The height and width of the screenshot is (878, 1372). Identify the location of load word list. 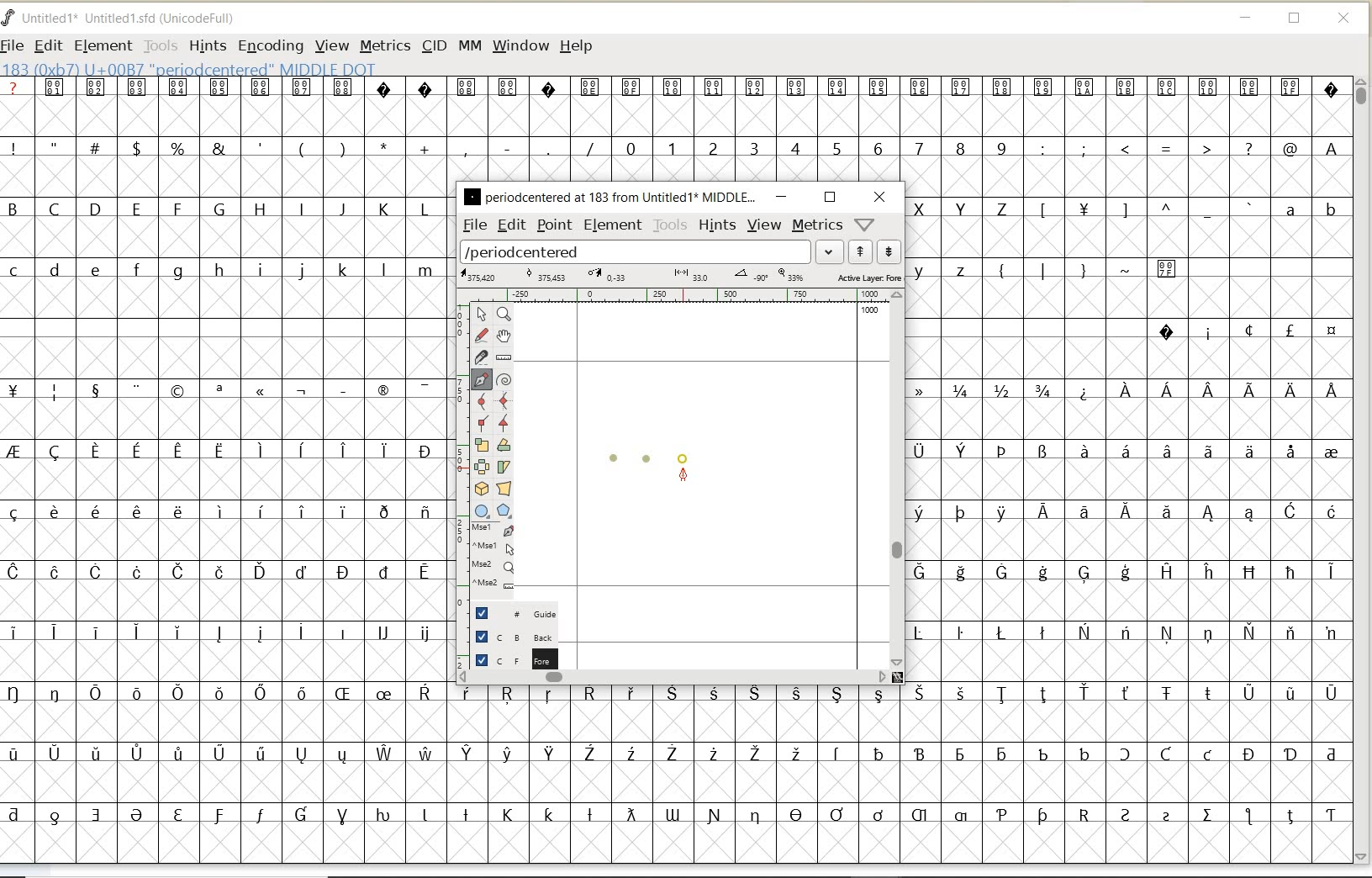
(636, 252).